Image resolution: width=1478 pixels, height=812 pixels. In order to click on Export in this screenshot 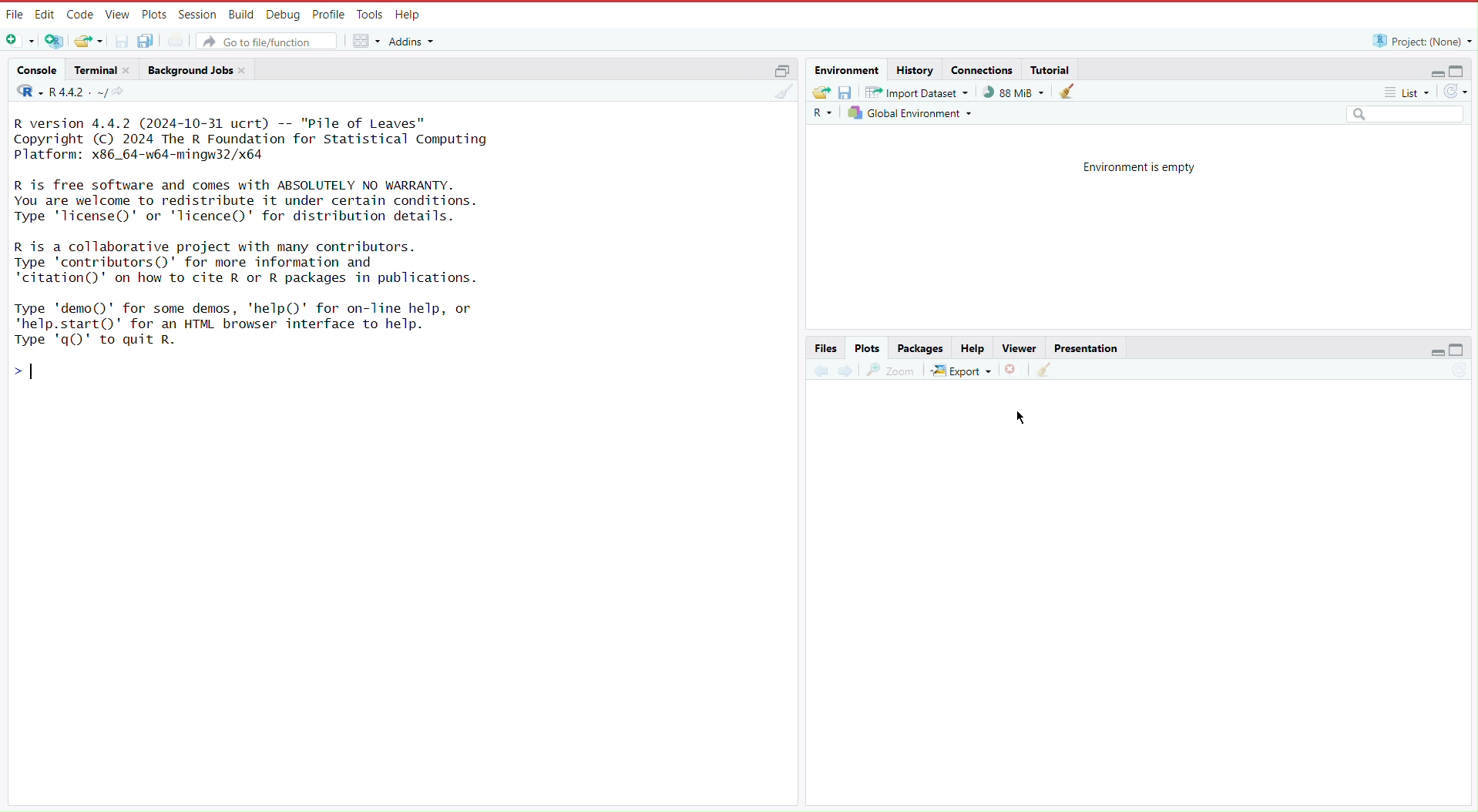, I will do `click(962, 367)`.